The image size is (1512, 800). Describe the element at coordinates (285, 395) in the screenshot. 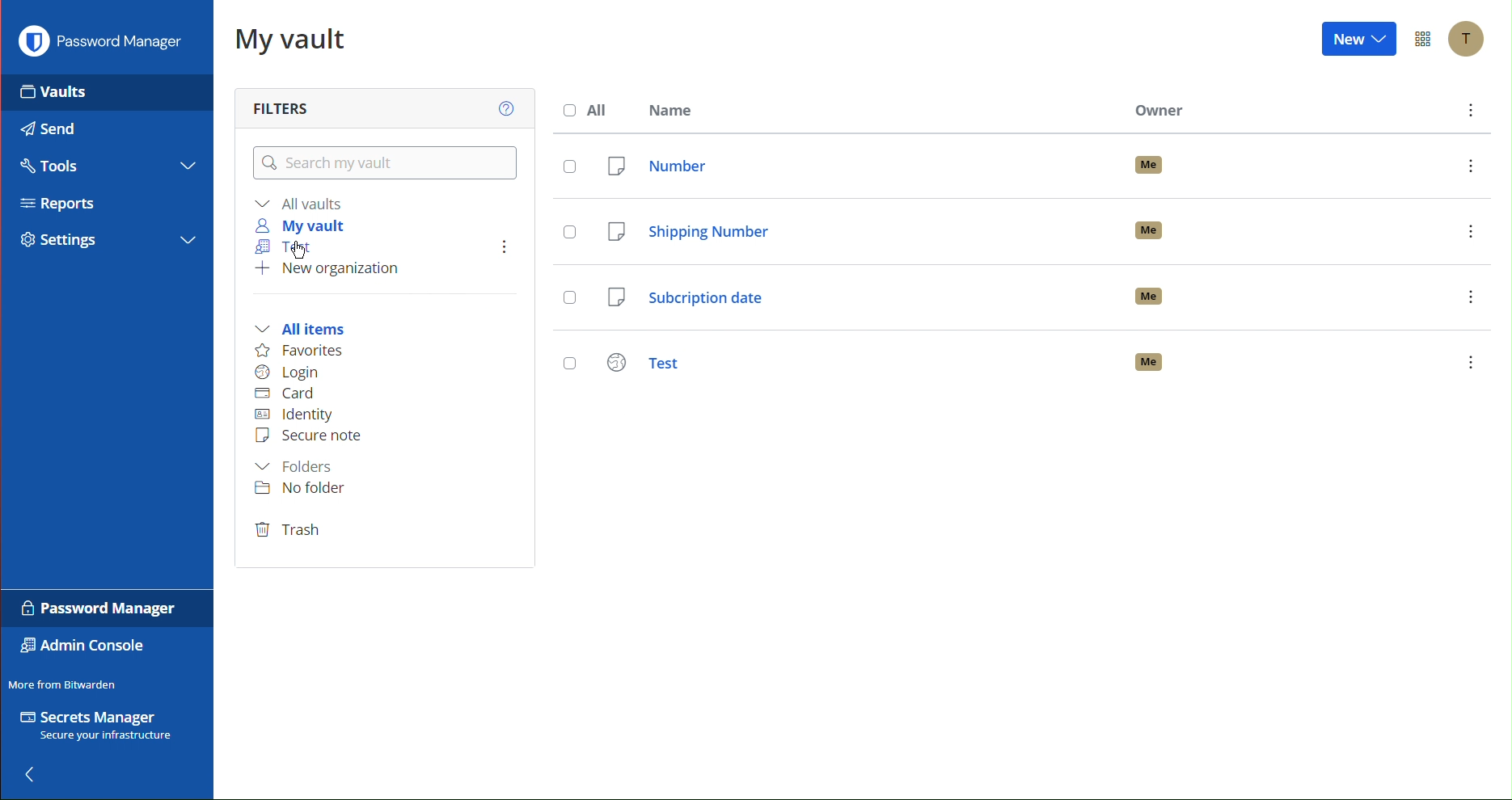

I see `Card ` at that location.